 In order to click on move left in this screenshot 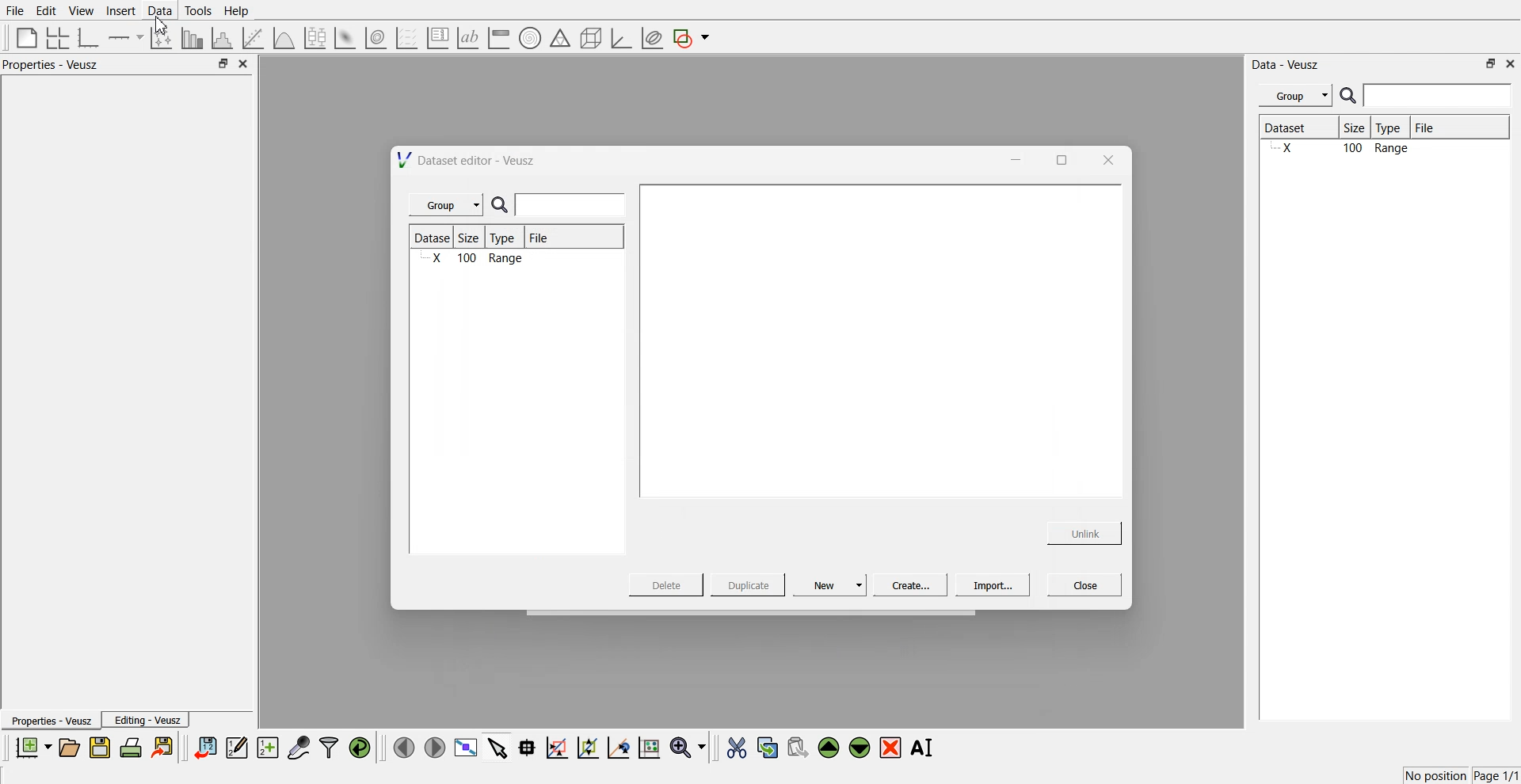, I will do `click(404, 747)`.